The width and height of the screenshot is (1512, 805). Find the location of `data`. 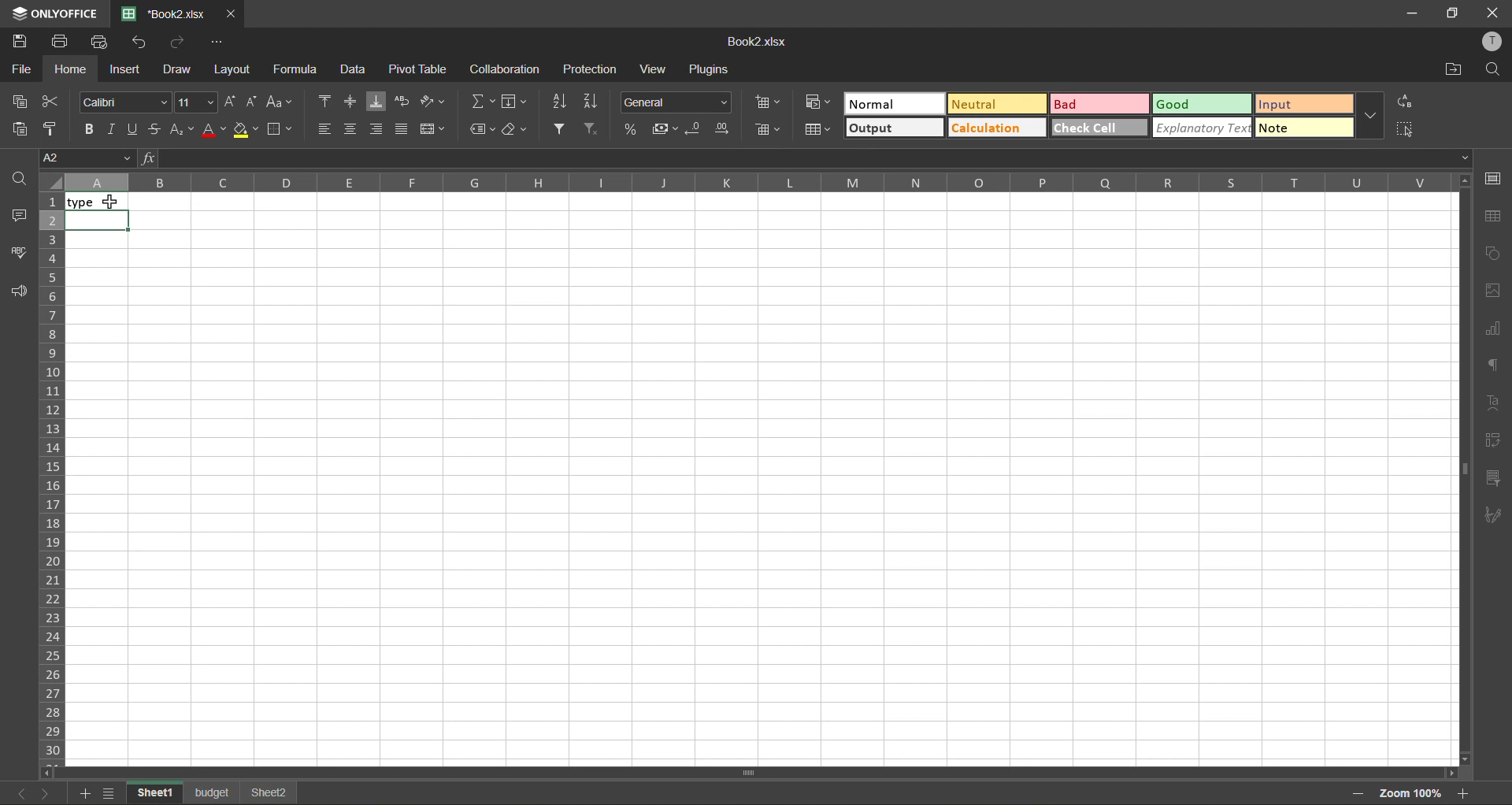

data is located at coordinates (355, 69).